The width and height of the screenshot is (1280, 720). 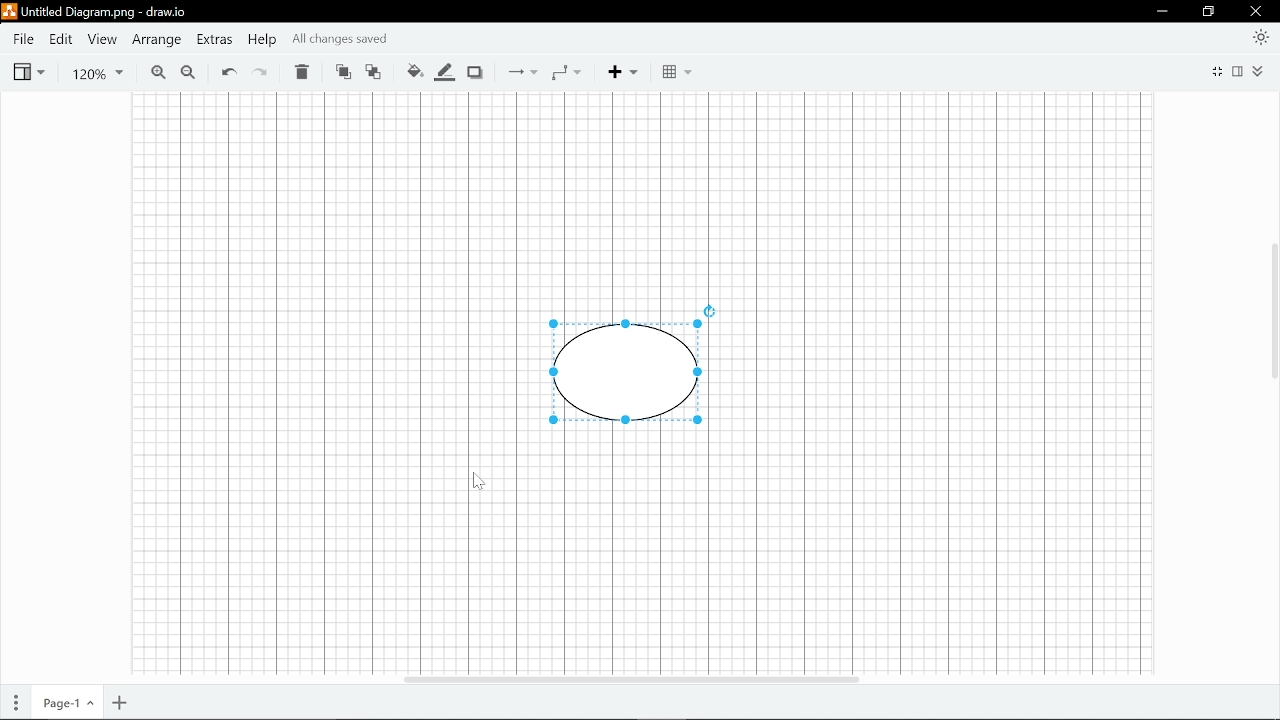 What do you see at coordinates (155, 40) in the screenshot?
I see `Arrange` at bounding box center [155, 40].